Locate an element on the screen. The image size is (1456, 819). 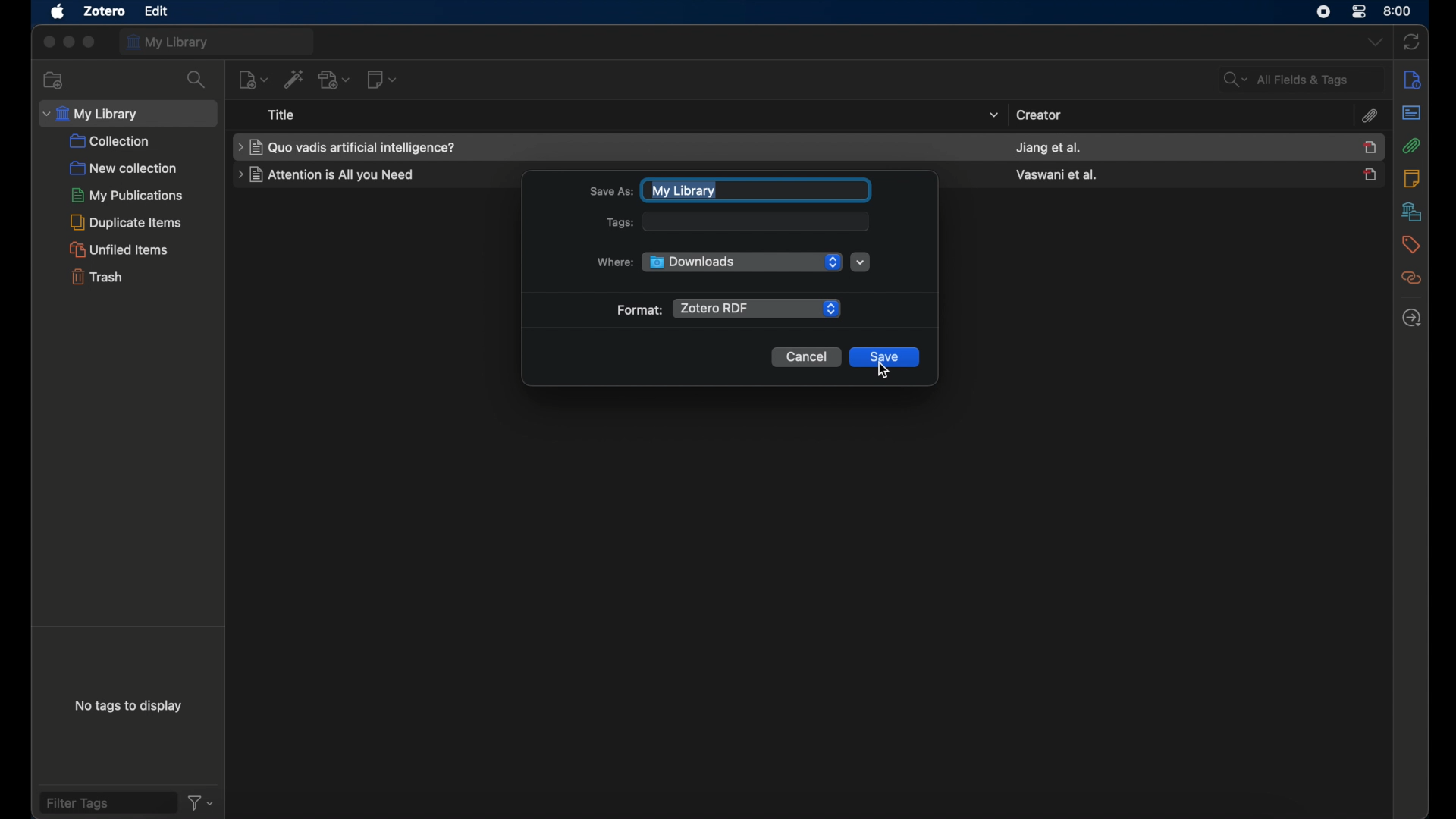
locate is located at coordinates (1411, 318).